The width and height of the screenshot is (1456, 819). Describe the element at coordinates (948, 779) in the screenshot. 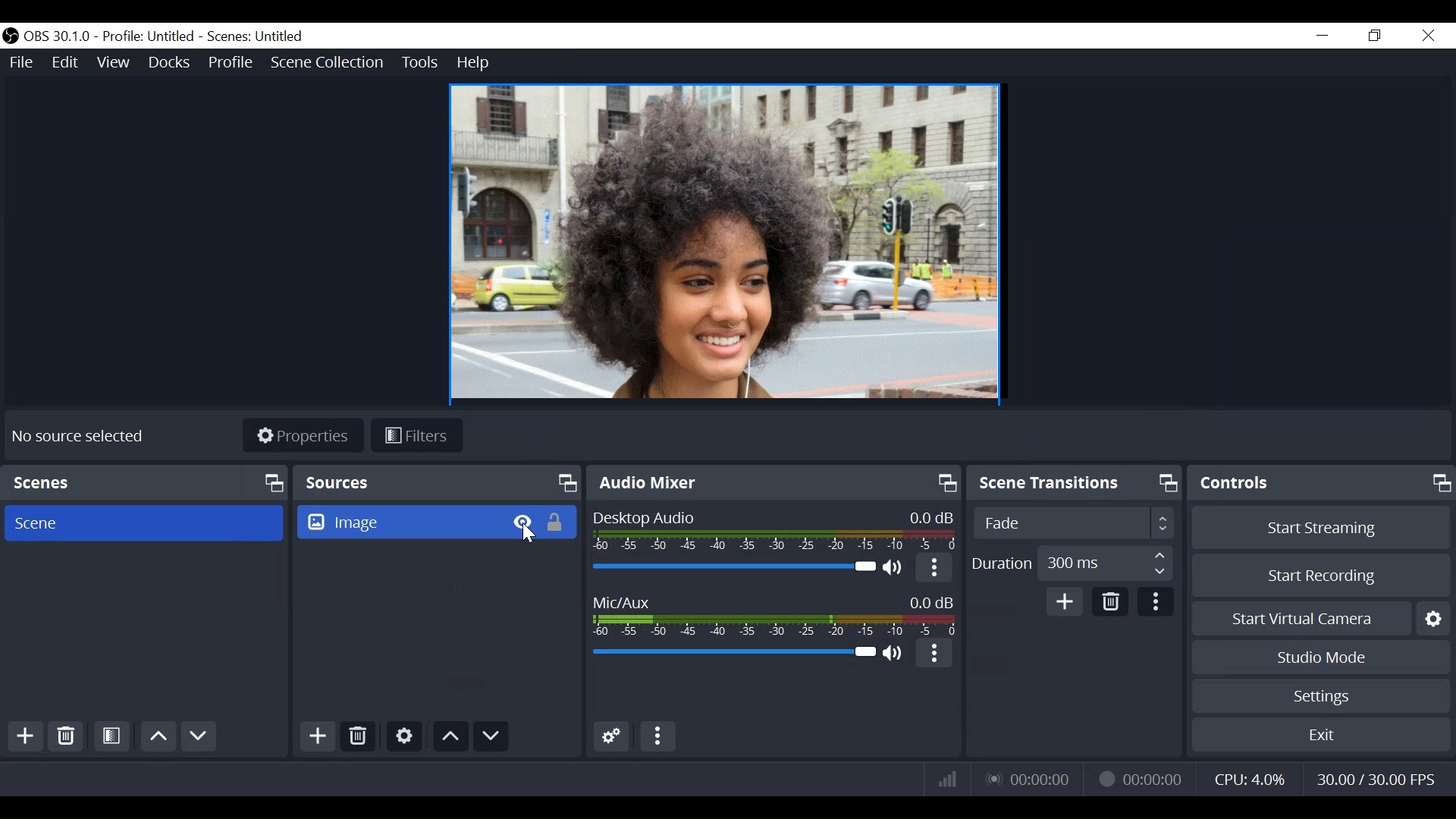

I see `Bitrate` at that location.